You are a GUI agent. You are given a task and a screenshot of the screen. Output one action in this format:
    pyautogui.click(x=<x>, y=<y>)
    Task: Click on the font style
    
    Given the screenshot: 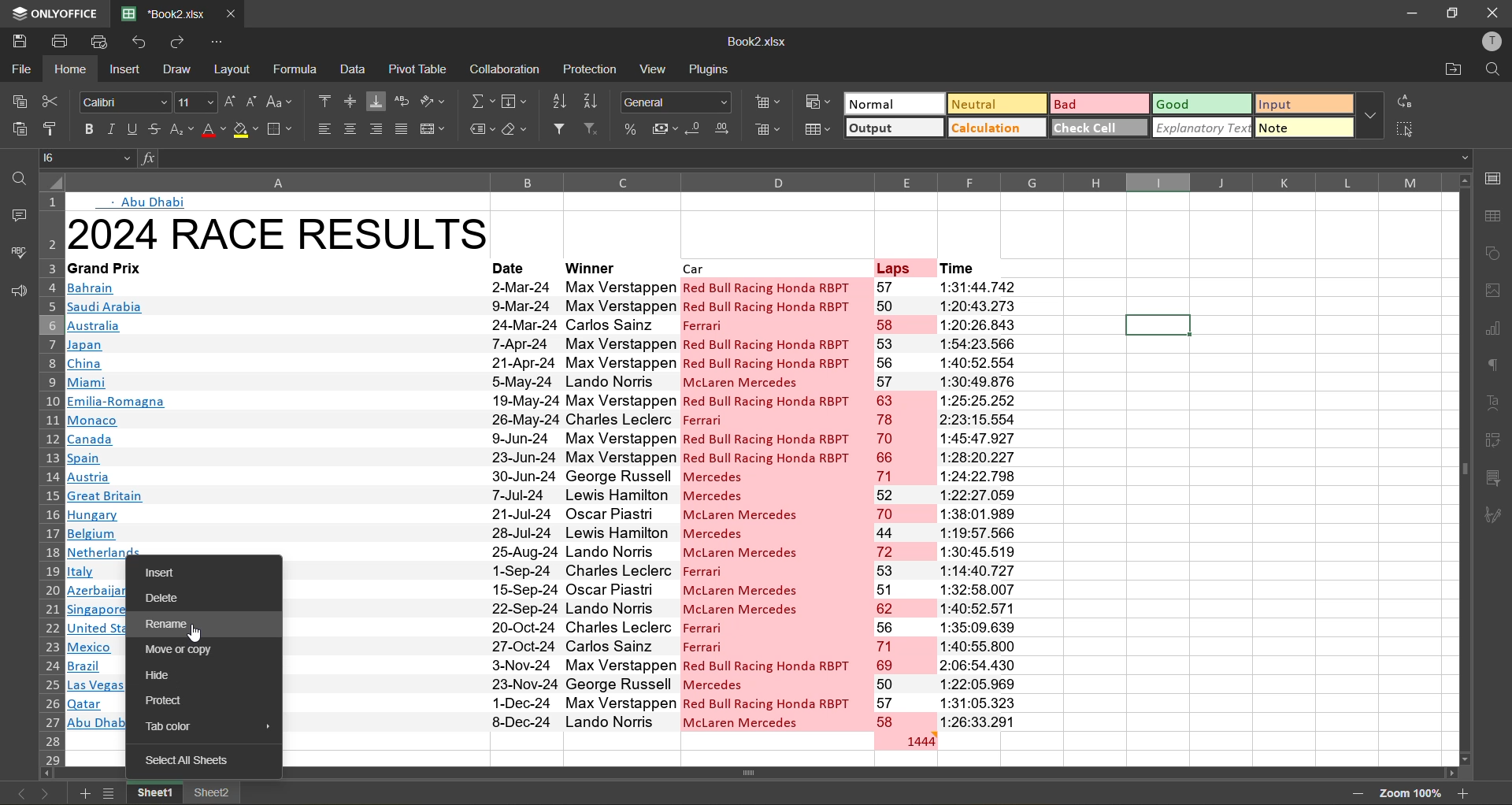 What is the action you would take?
    pyautogui.click(x=123, y=100)
    